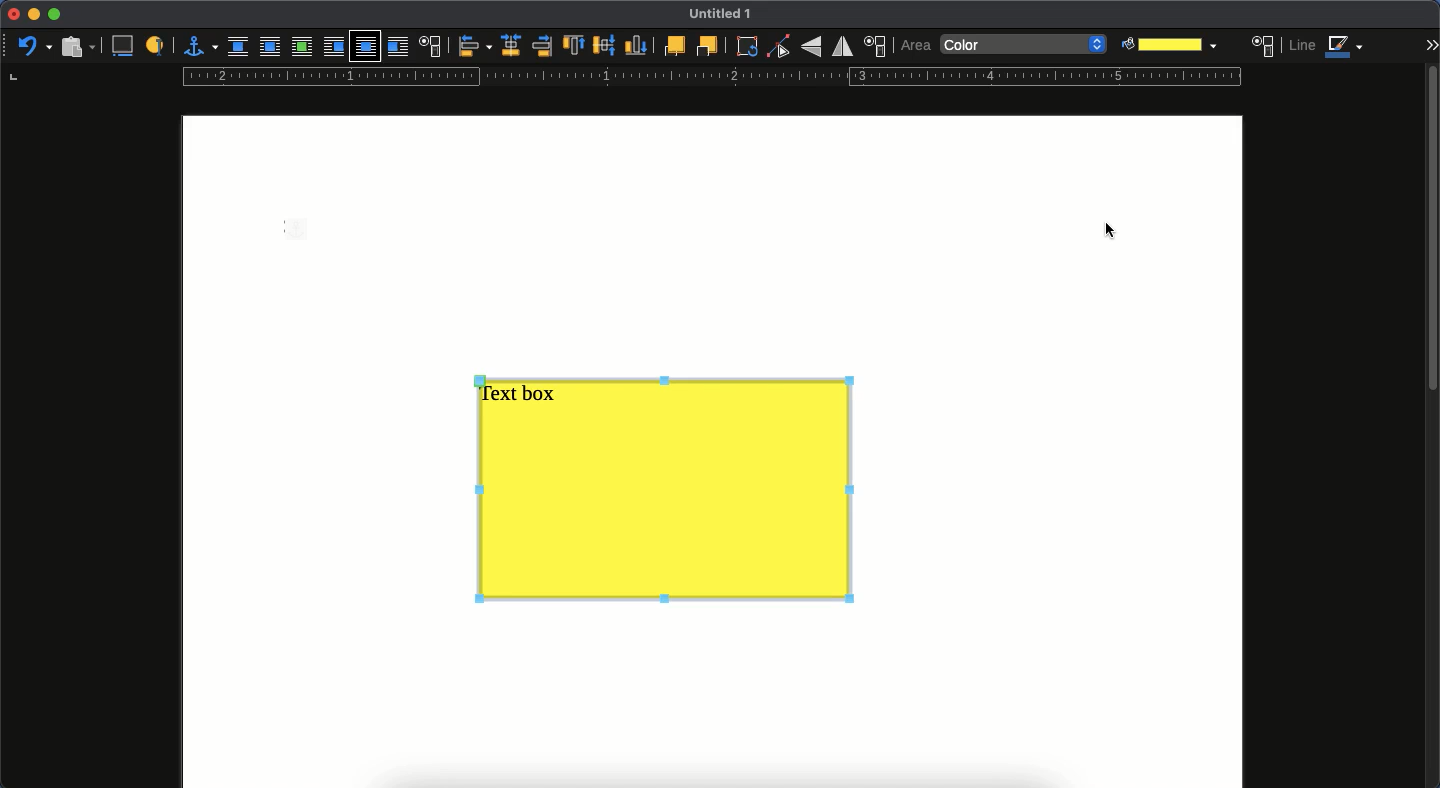 This screenshot has height=788, width=1440. Describe the element at coordinates (843, 46) in the screenshot. I see `rotate horizontally ` at that location.